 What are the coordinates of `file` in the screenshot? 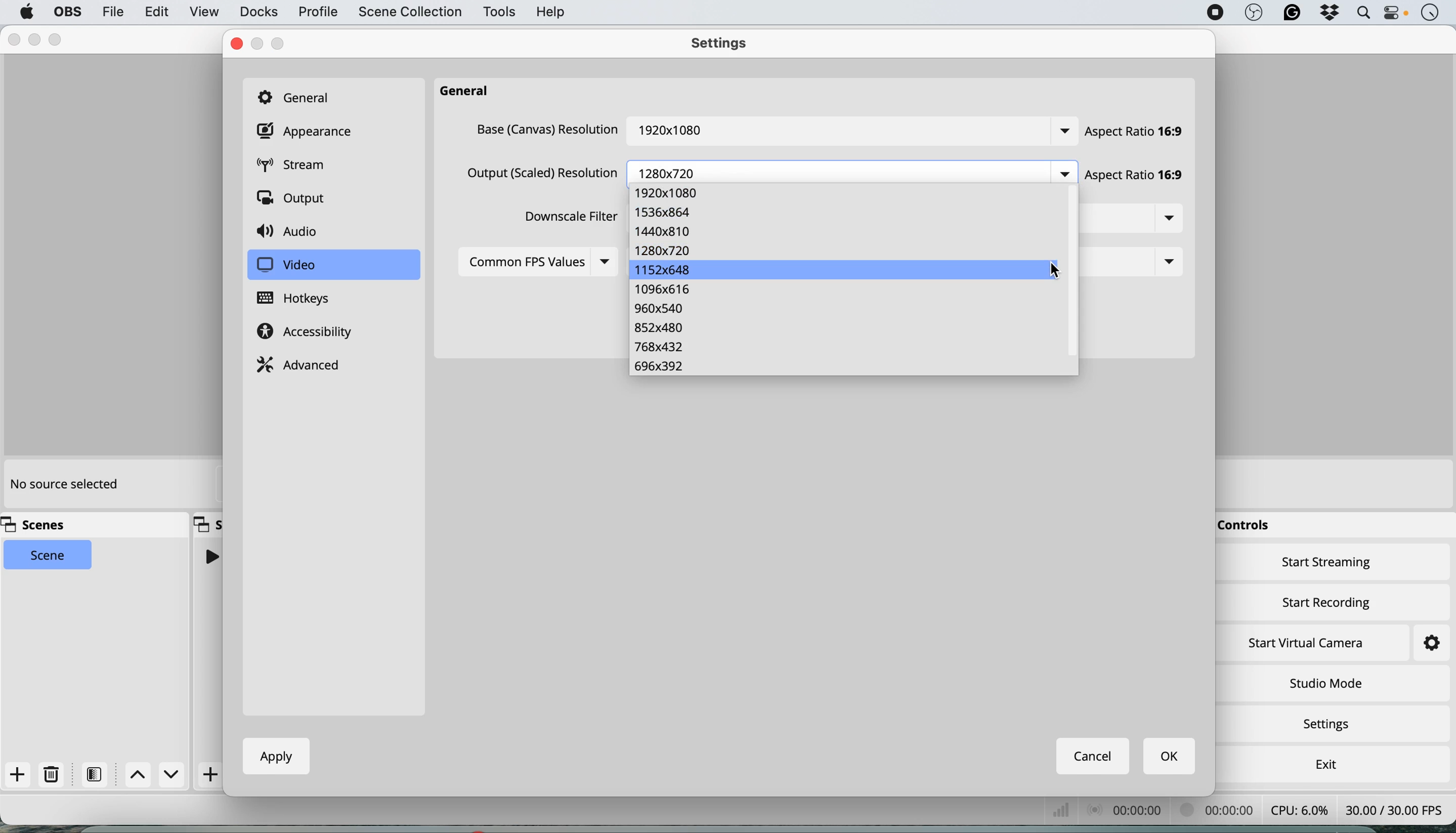 It's located at (112, 11).